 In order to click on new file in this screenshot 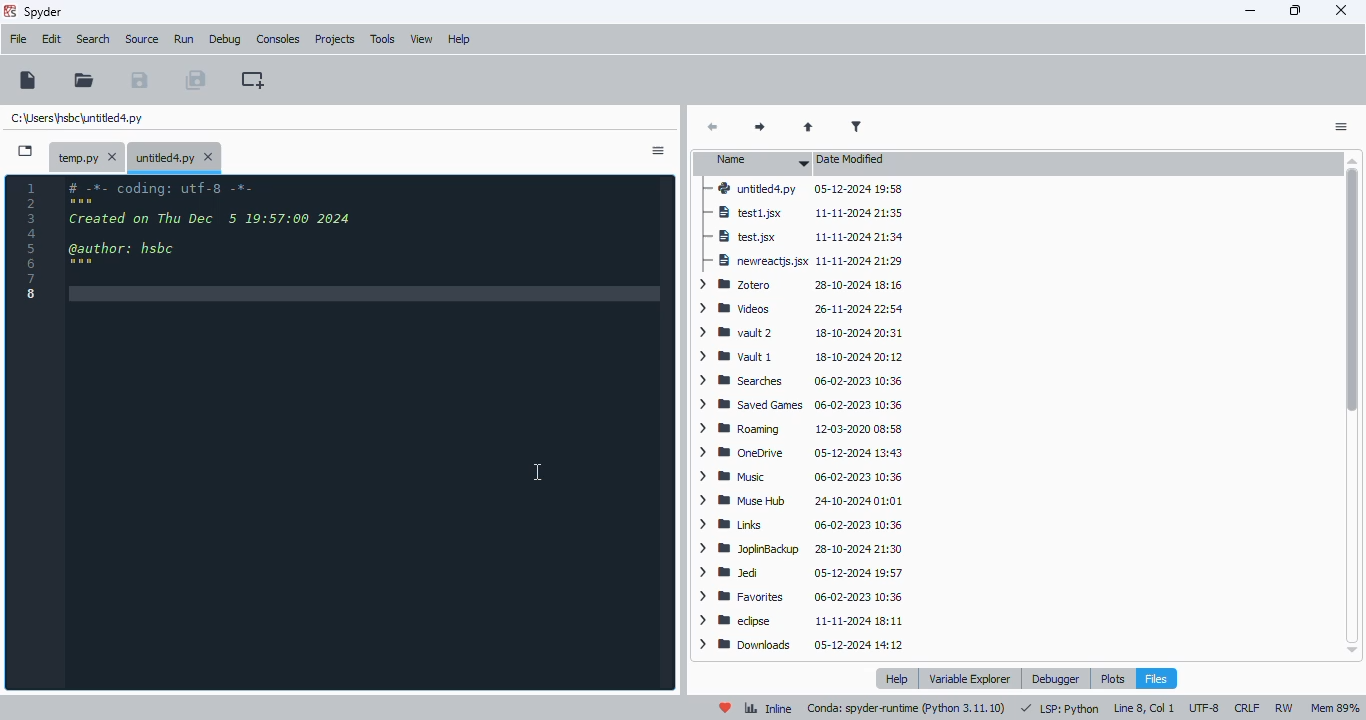, I will do `click(28, 80)`.